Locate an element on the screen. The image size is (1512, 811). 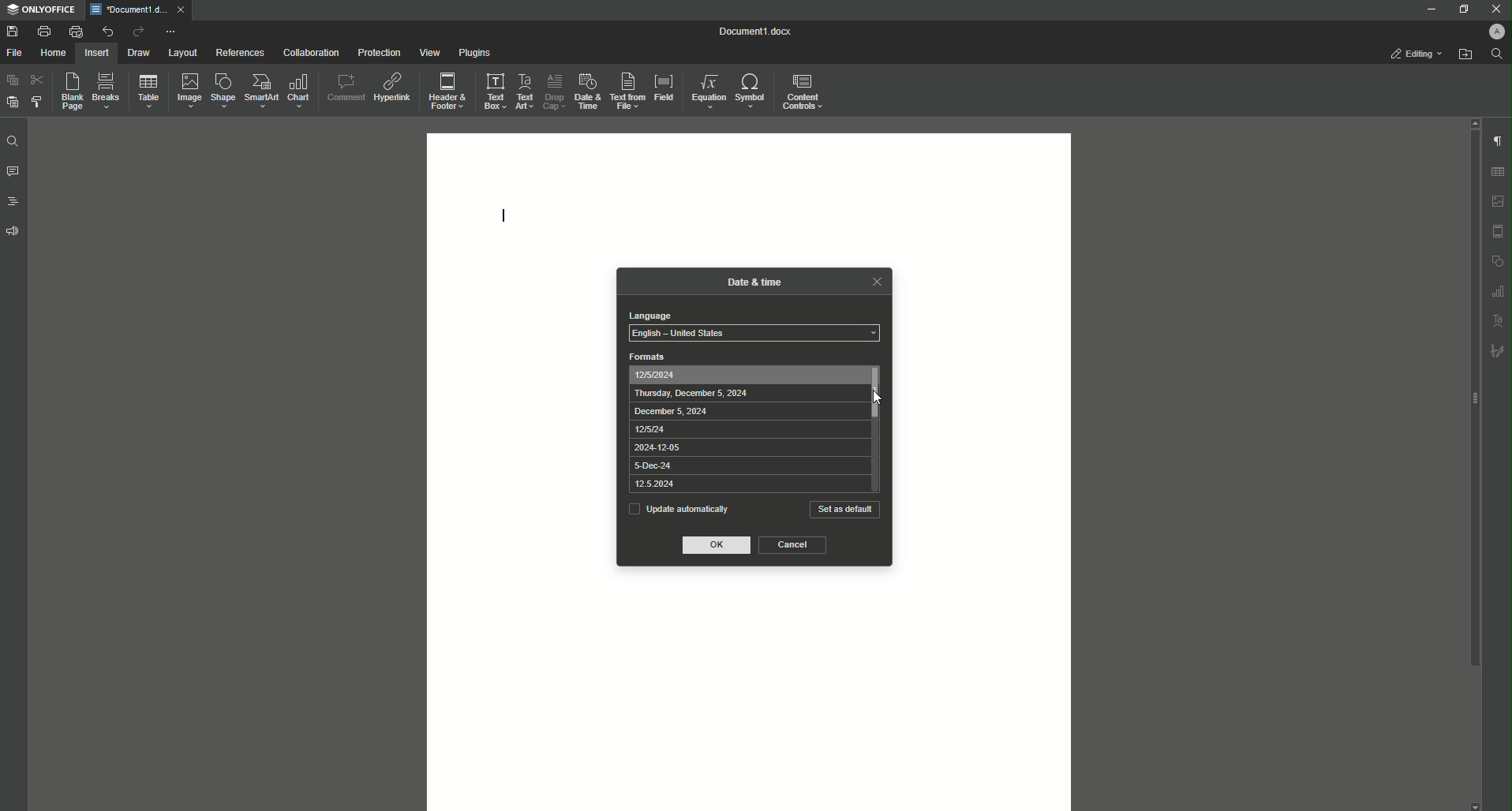
Minimize is located at coordinates (1429, 9).